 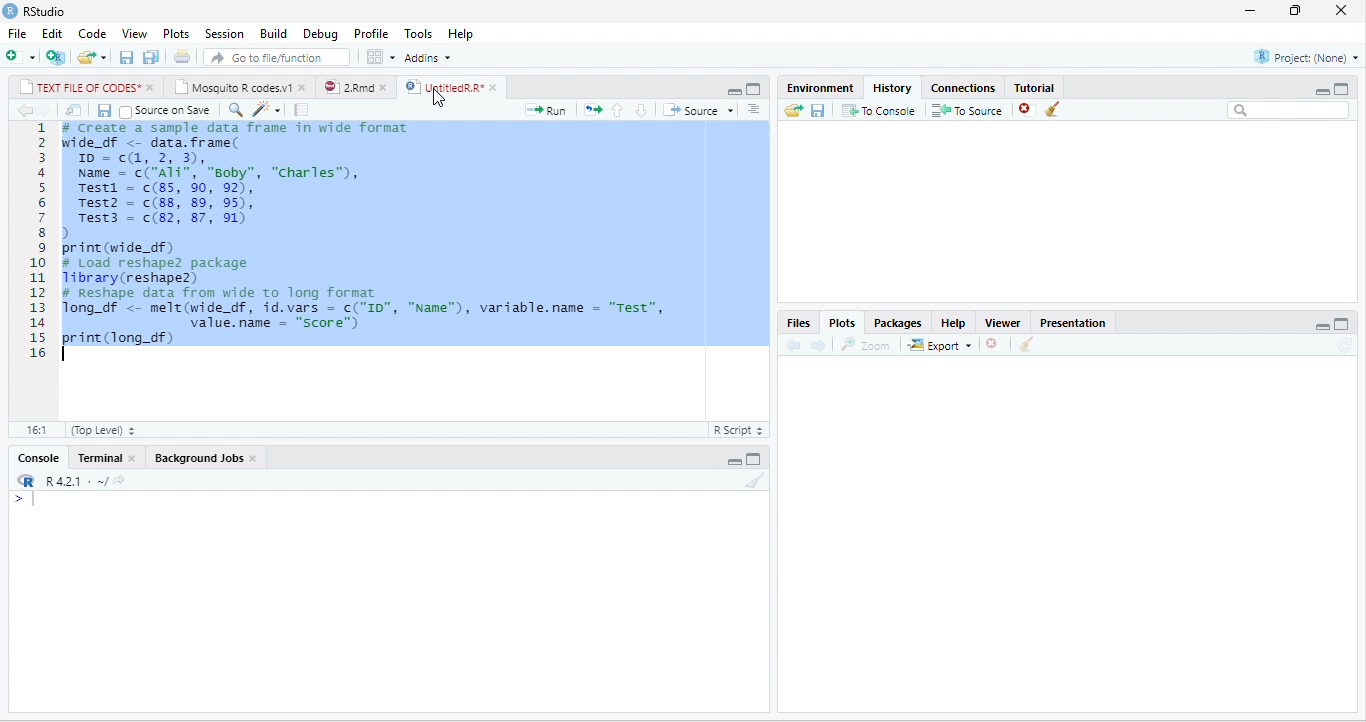 What do you see at coordinates (443, 87) in the screenshot?
I see `UntitledR.R` at bounding box center [443, 87].